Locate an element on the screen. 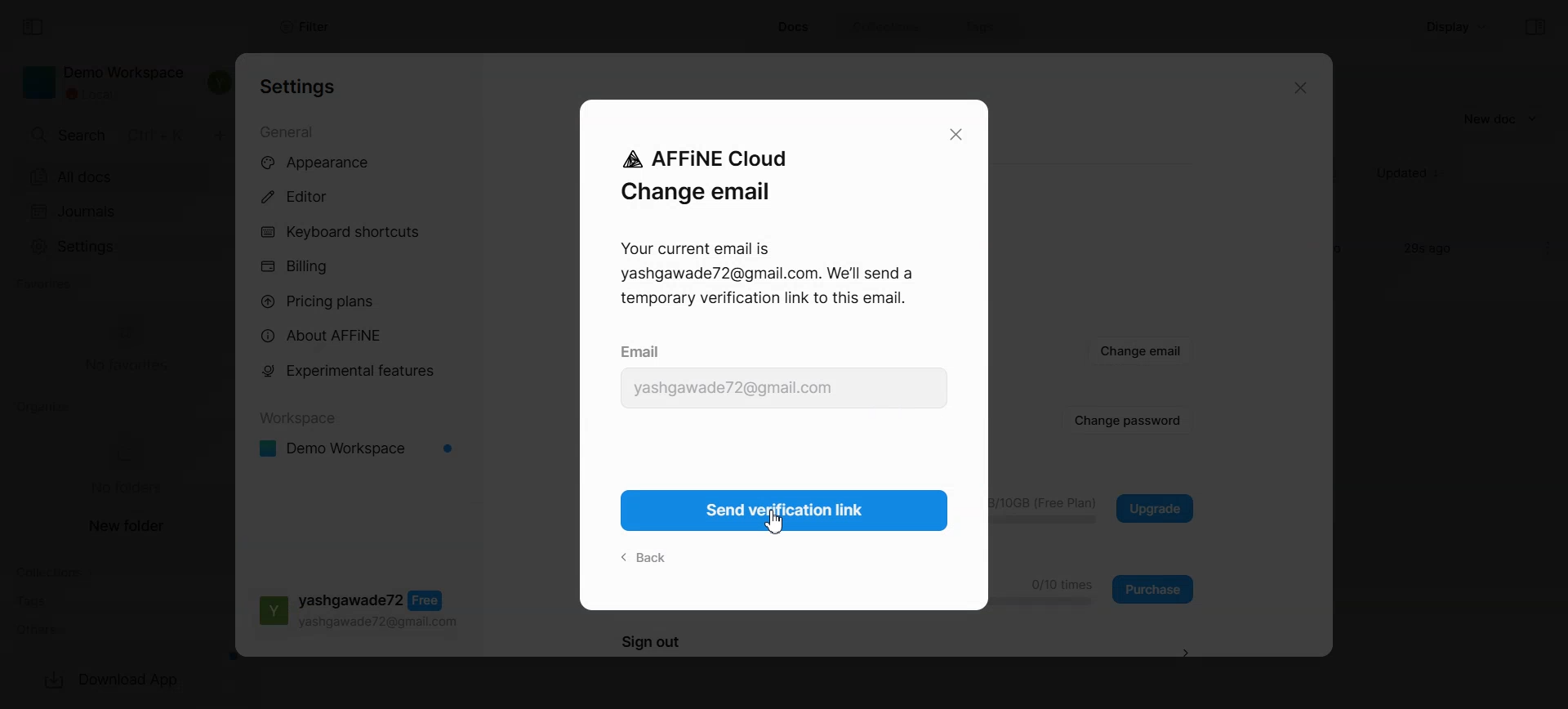 The image size is (1568, 709). workspace is located at coordinates (299, 414).